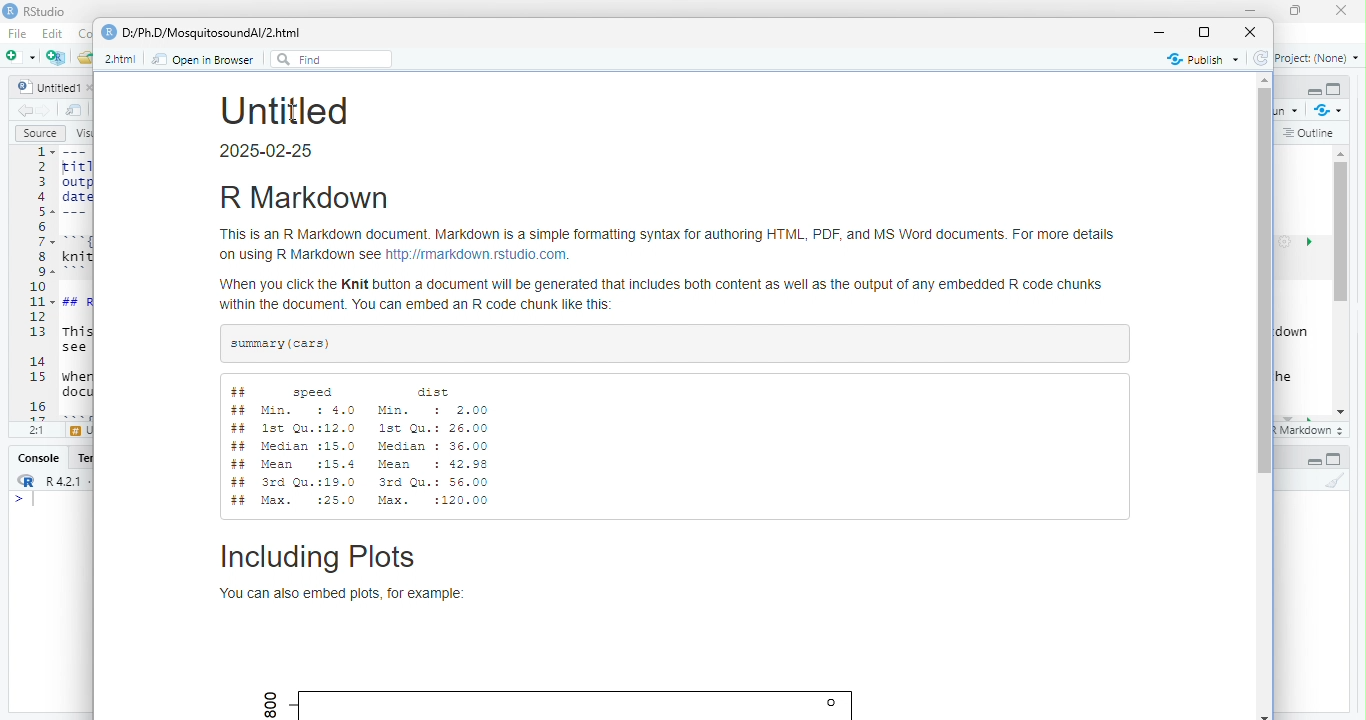 The image size is (1366, 720). I want to click on scrollbar, so click(1265, 280).